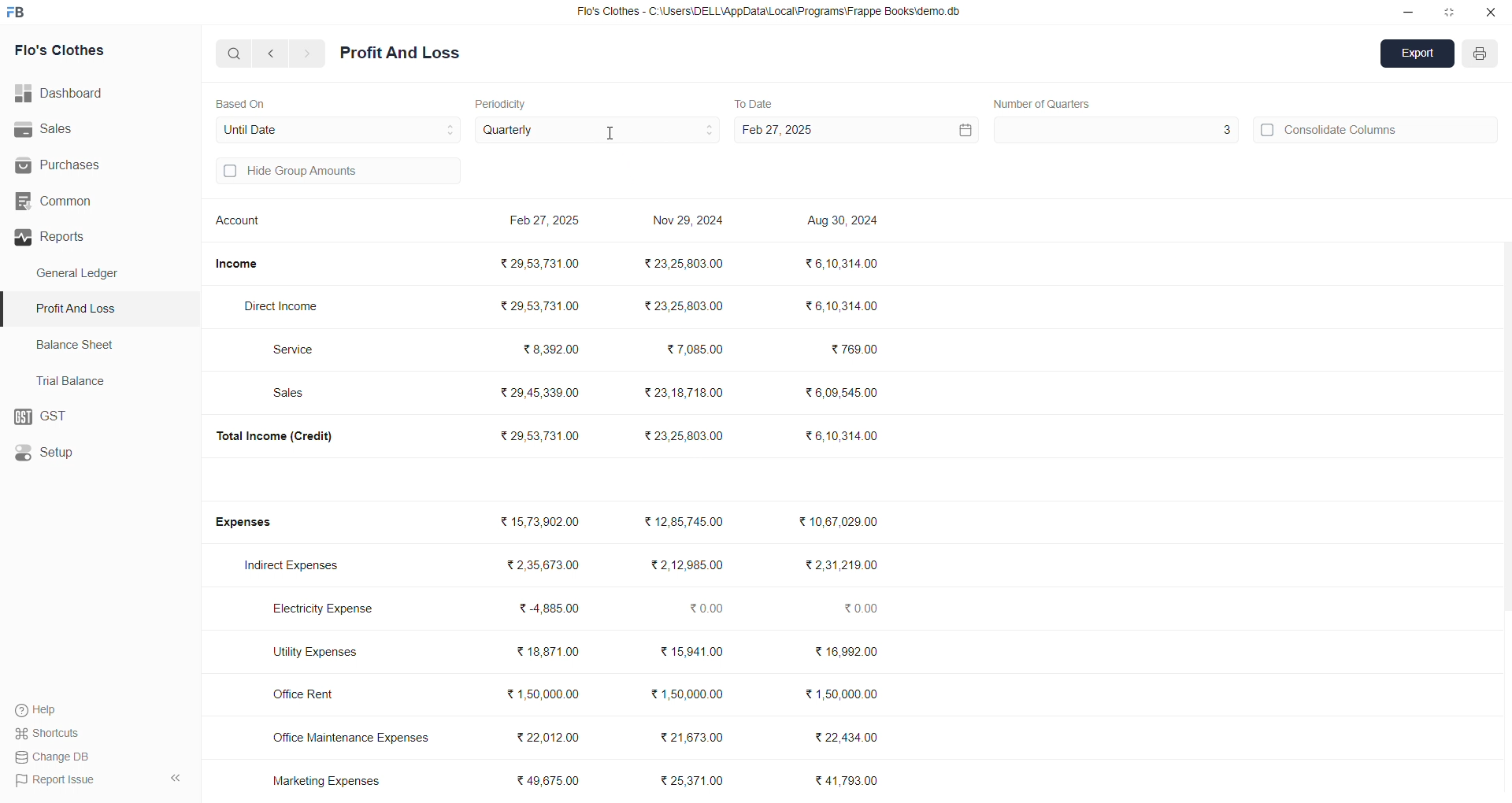  I want to click on cursor, so click(611, 138).